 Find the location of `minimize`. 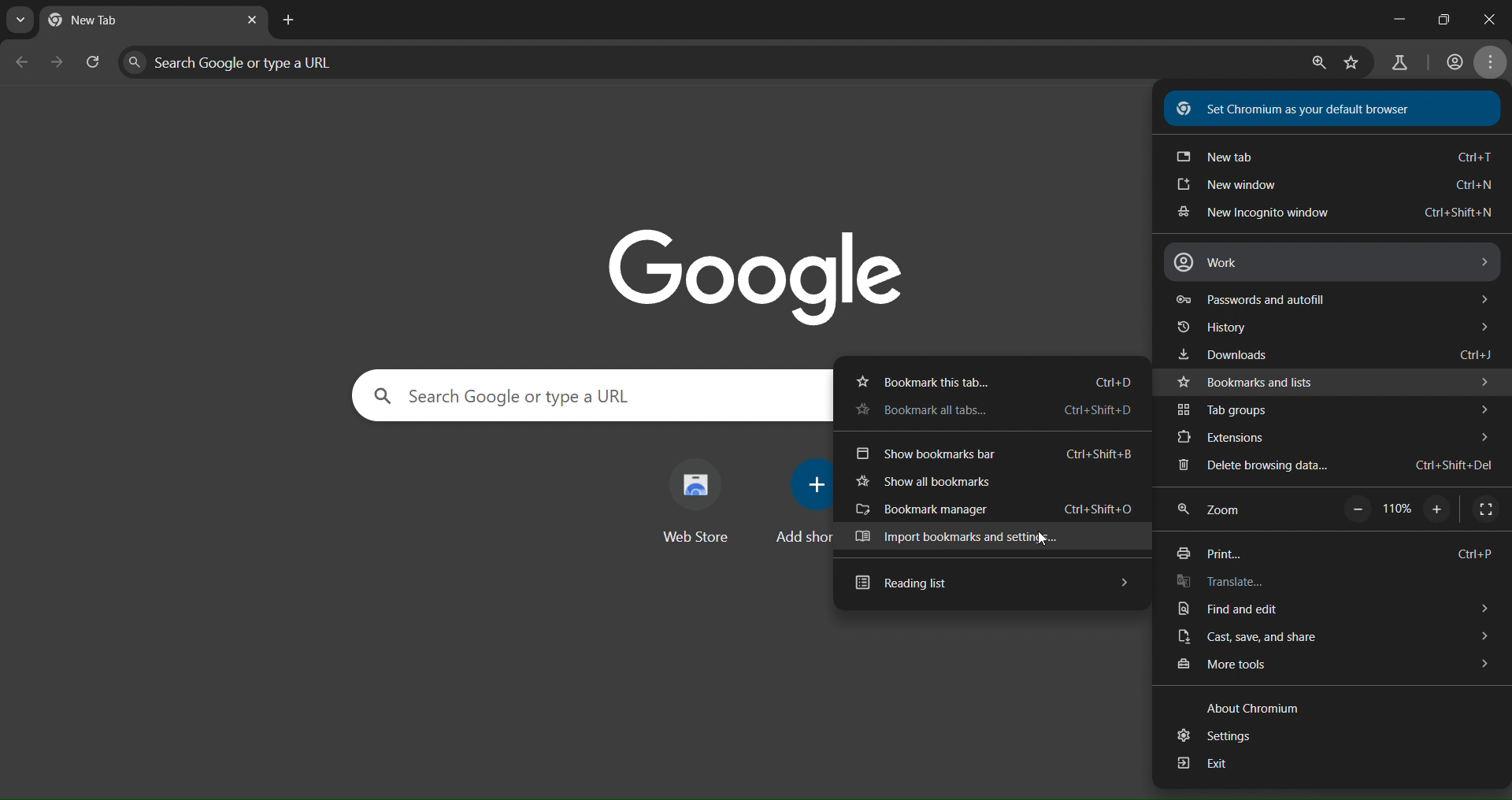

minimize is located at coordinates (1384, 22).